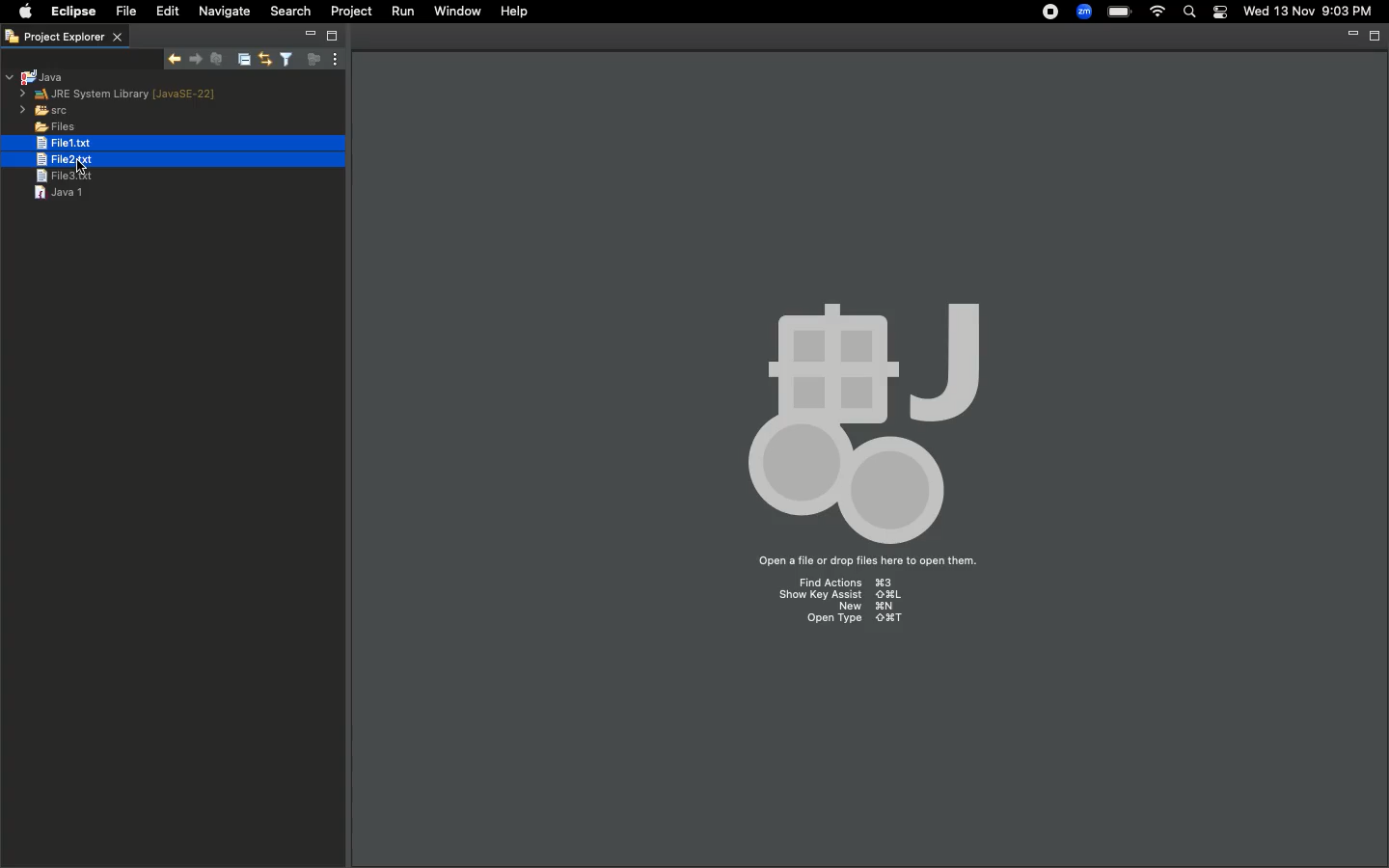  I want to click on Zoom, so click(1084, 12).